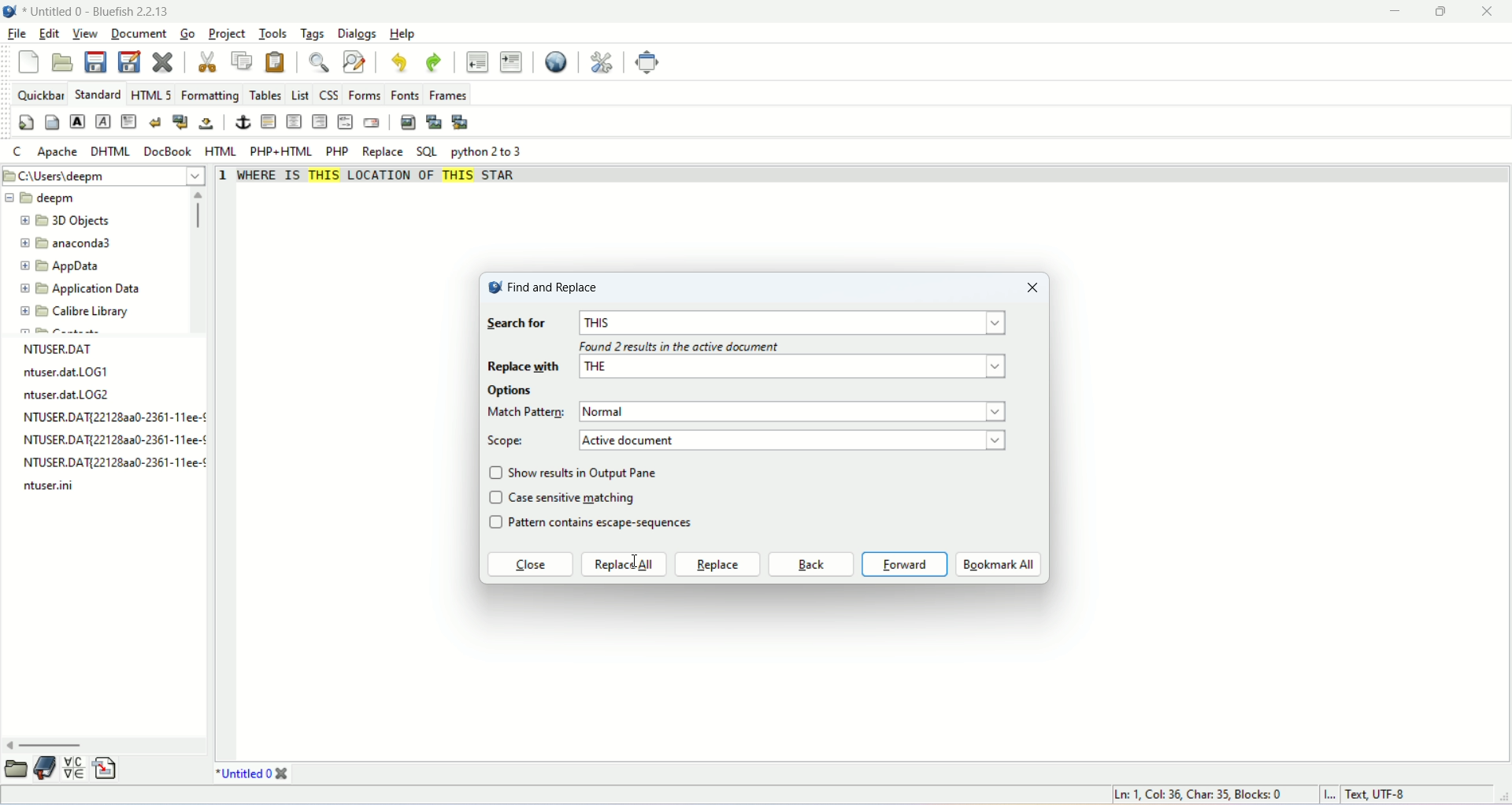 This screenshot has height=805, width=1512. Describe the element at coordinates (461, 122) in the screenshot. I see `multi thumbnail` at that location.